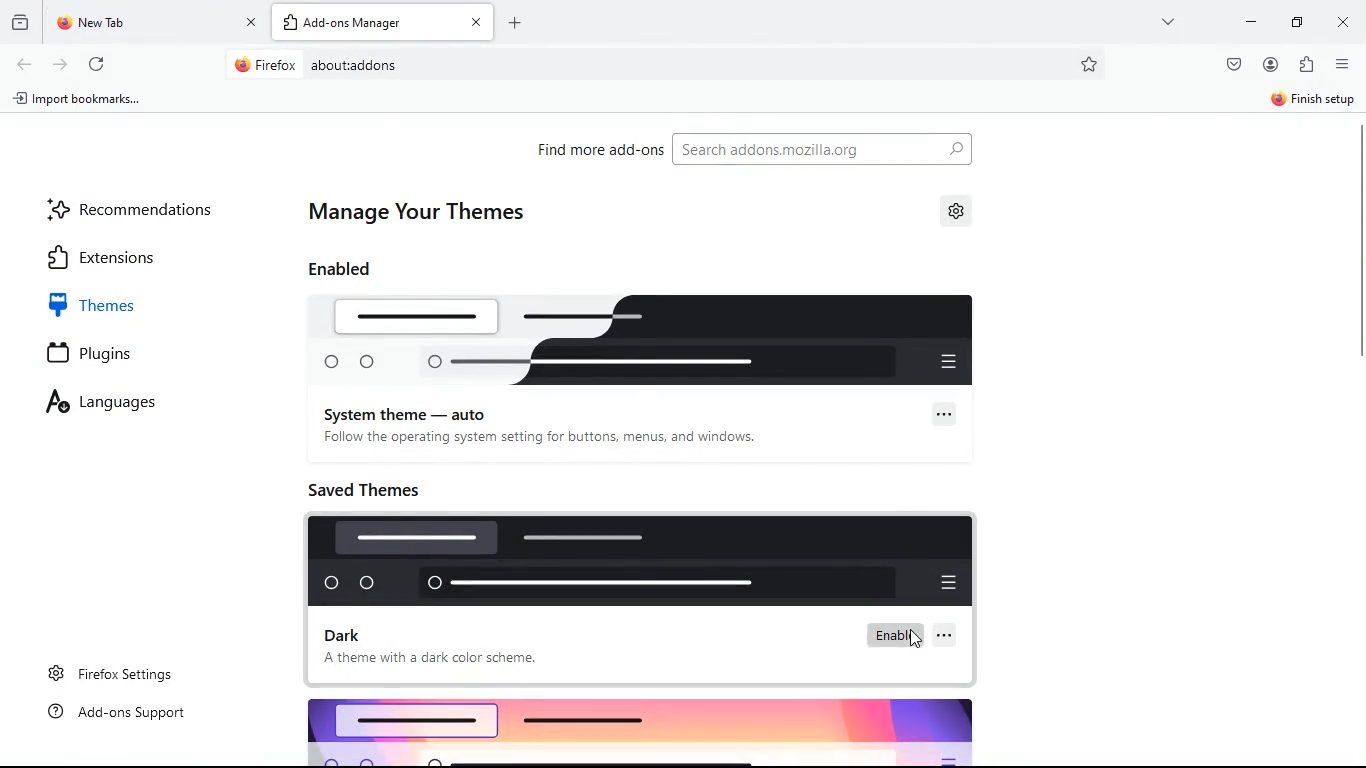  I want to click on saved themes, so click(378, 489).